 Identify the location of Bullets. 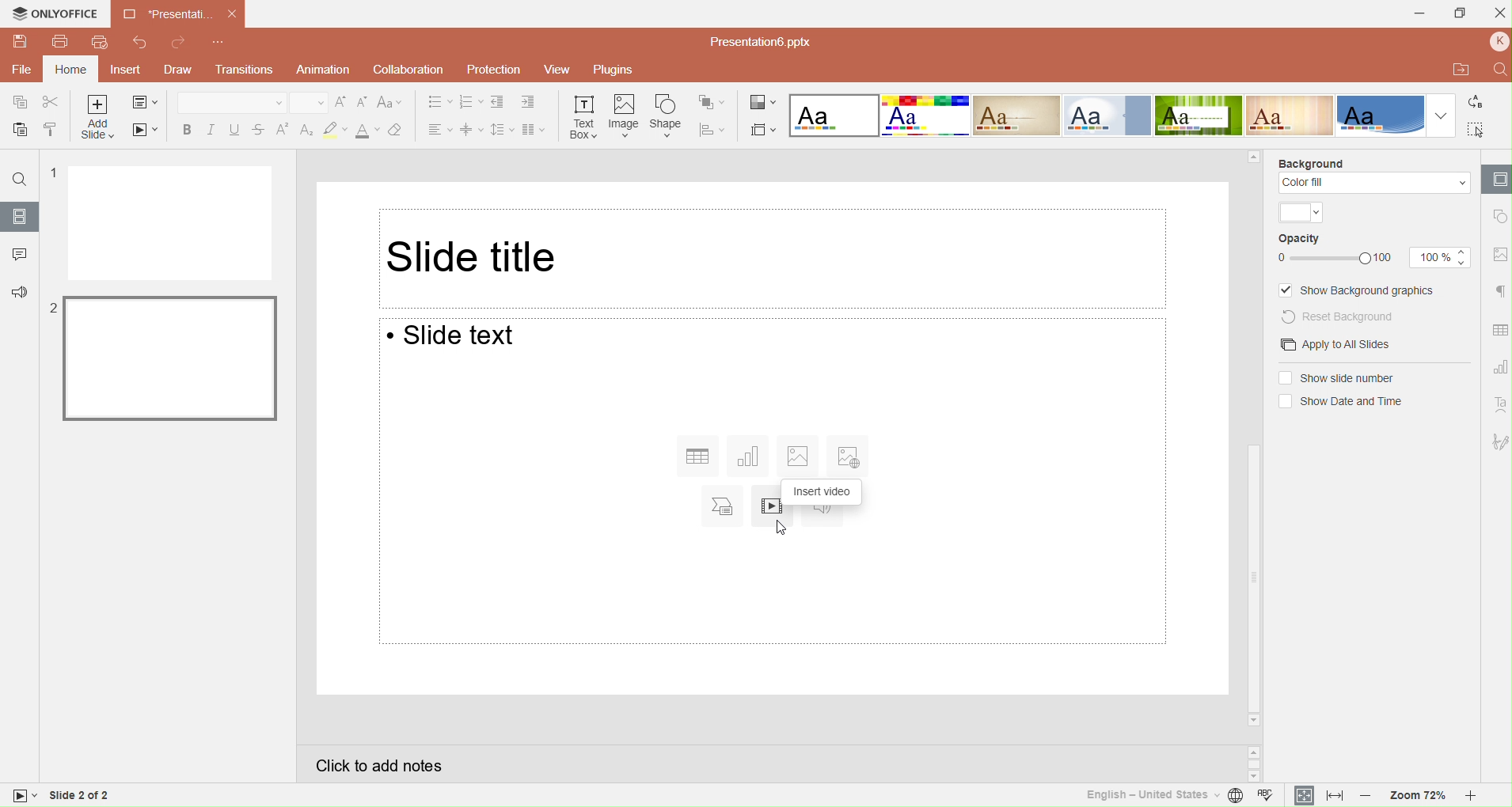
(438, 102).